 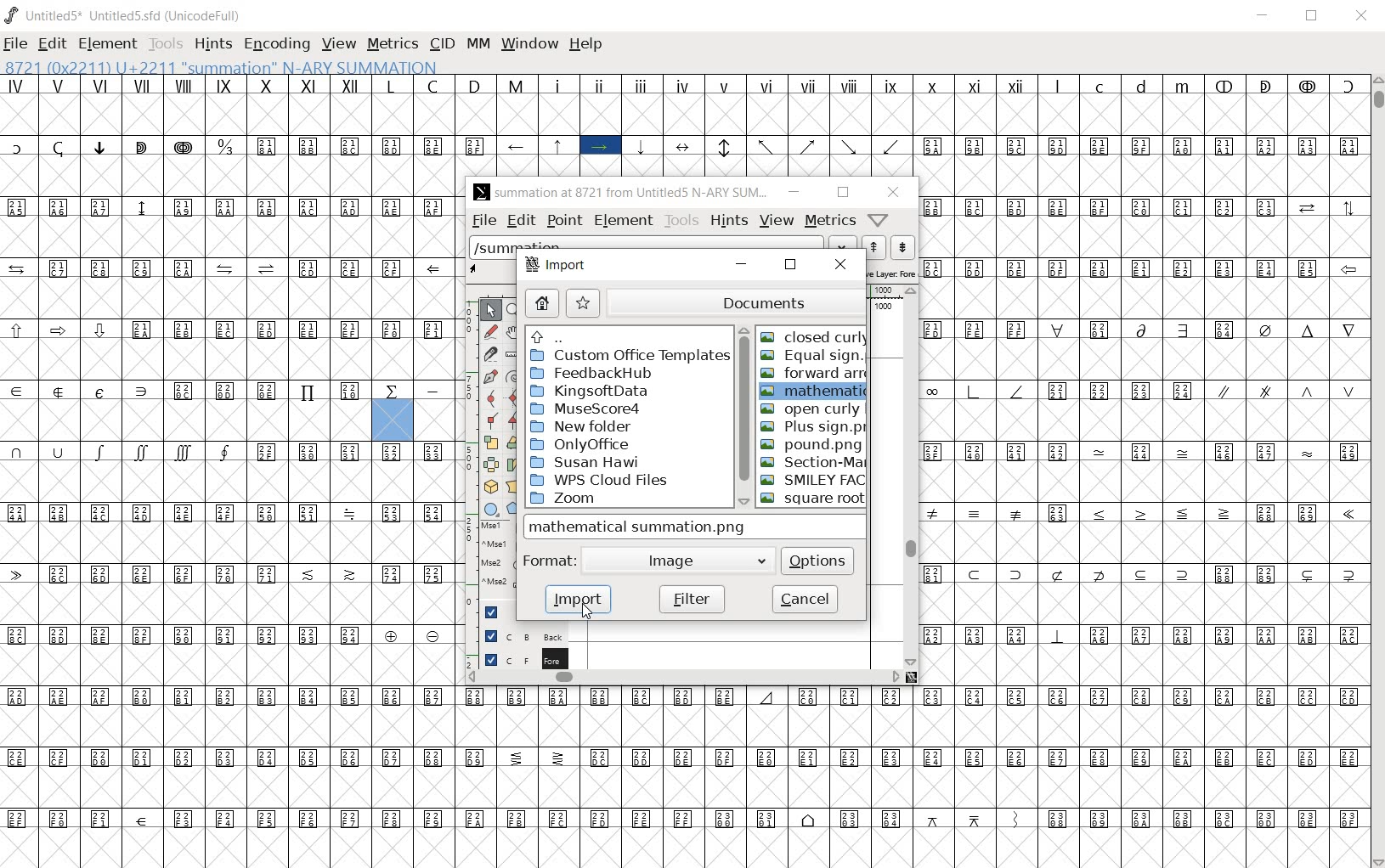 I want to click on rectangle or ellipse, so click(x=490, y=509).